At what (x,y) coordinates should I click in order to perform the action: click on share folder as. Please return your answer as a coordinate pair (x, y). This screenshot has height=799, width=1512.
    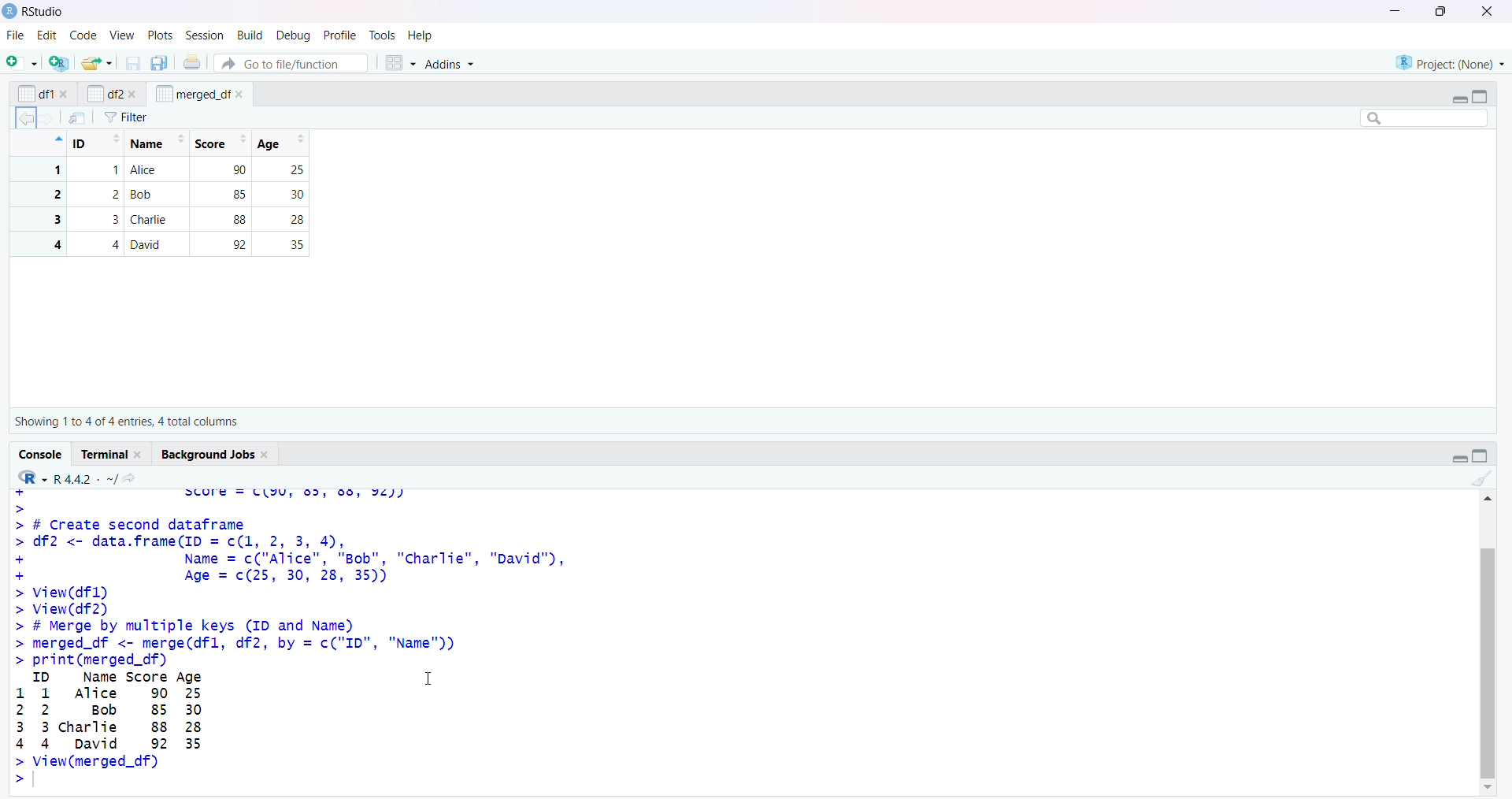
    Looking at the image, I should click on (98, 63).